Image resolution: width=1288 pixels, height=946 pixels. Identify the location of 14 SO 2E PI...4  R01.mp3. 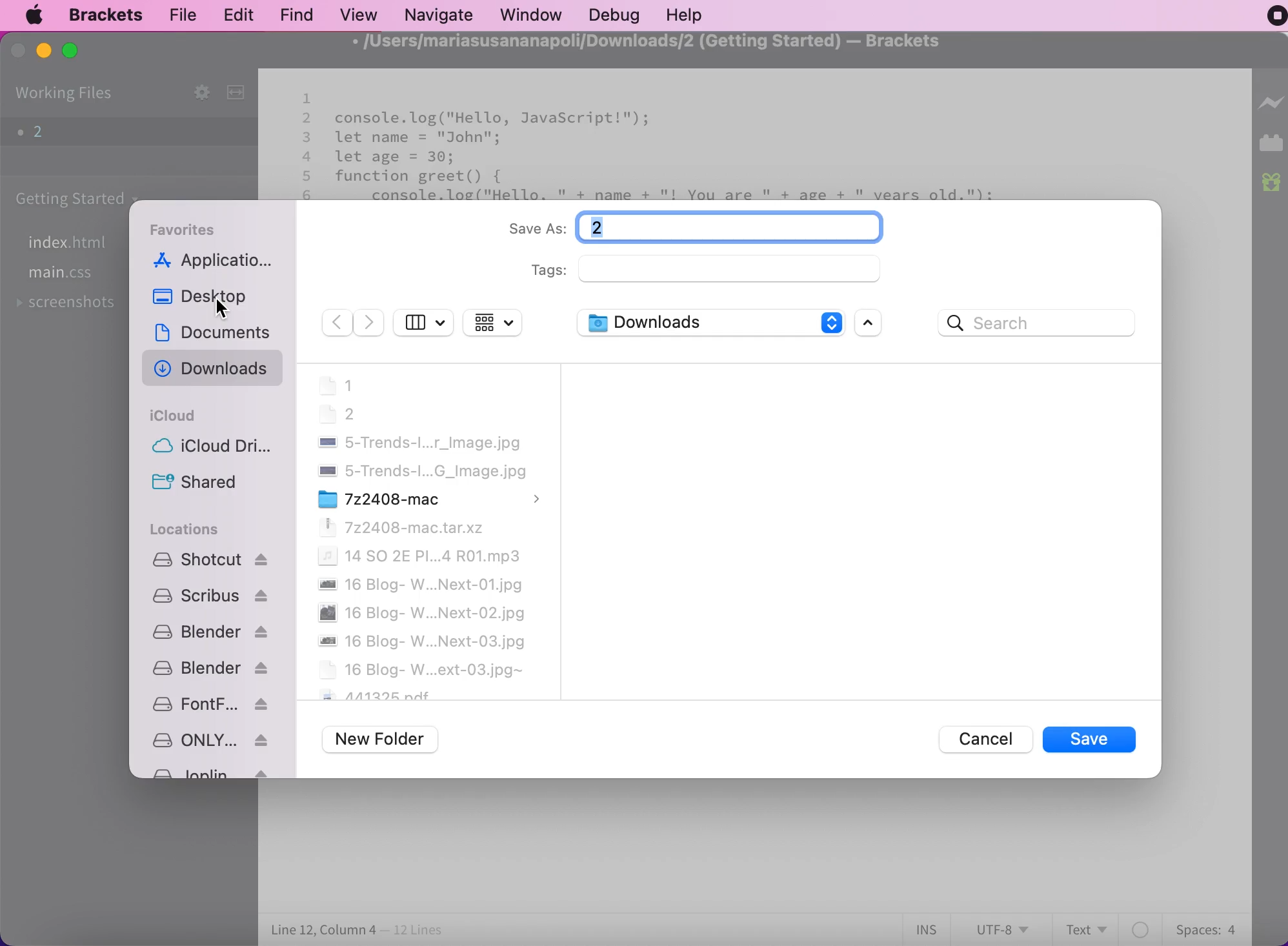
(418, 556).